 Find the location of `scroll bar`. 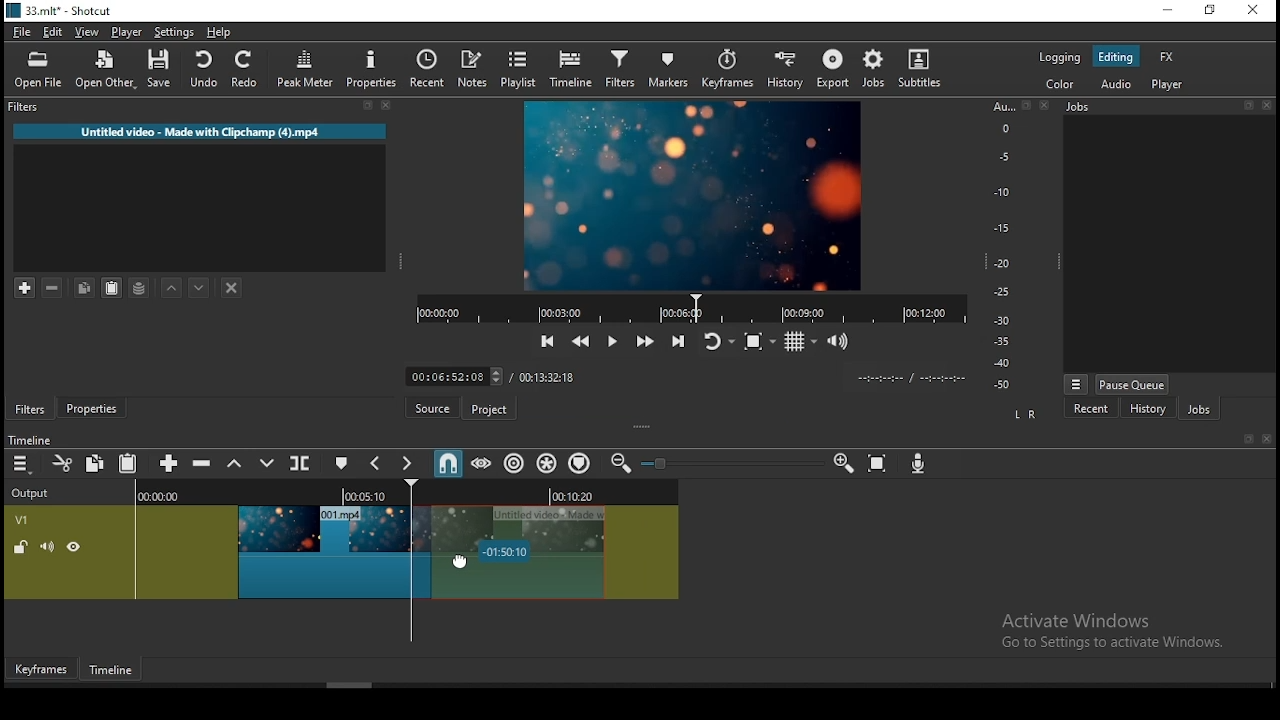

scroll bar is located at coordinates (351, 684).